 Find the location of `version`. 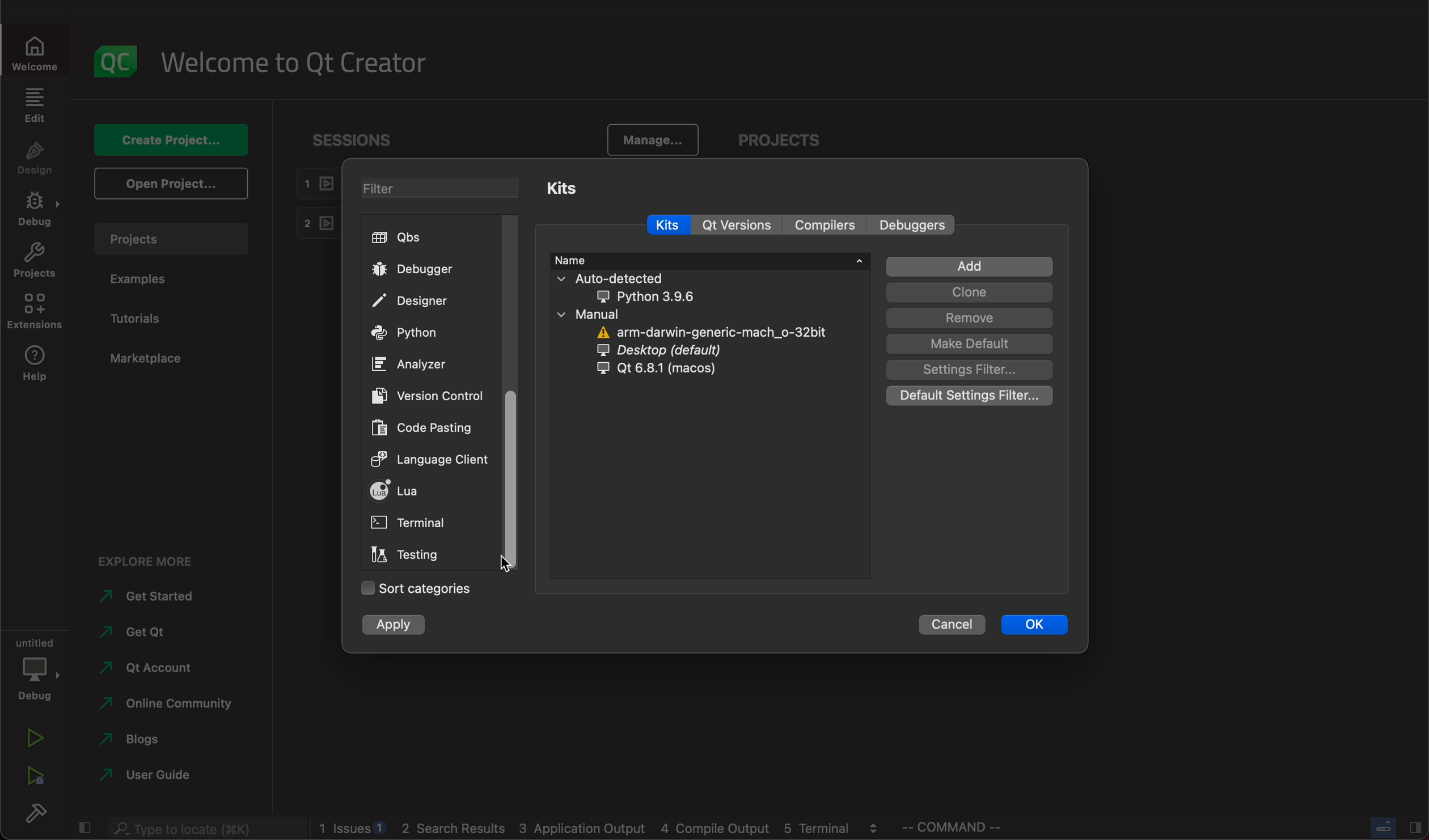

version is located at coordinates (428, 396).